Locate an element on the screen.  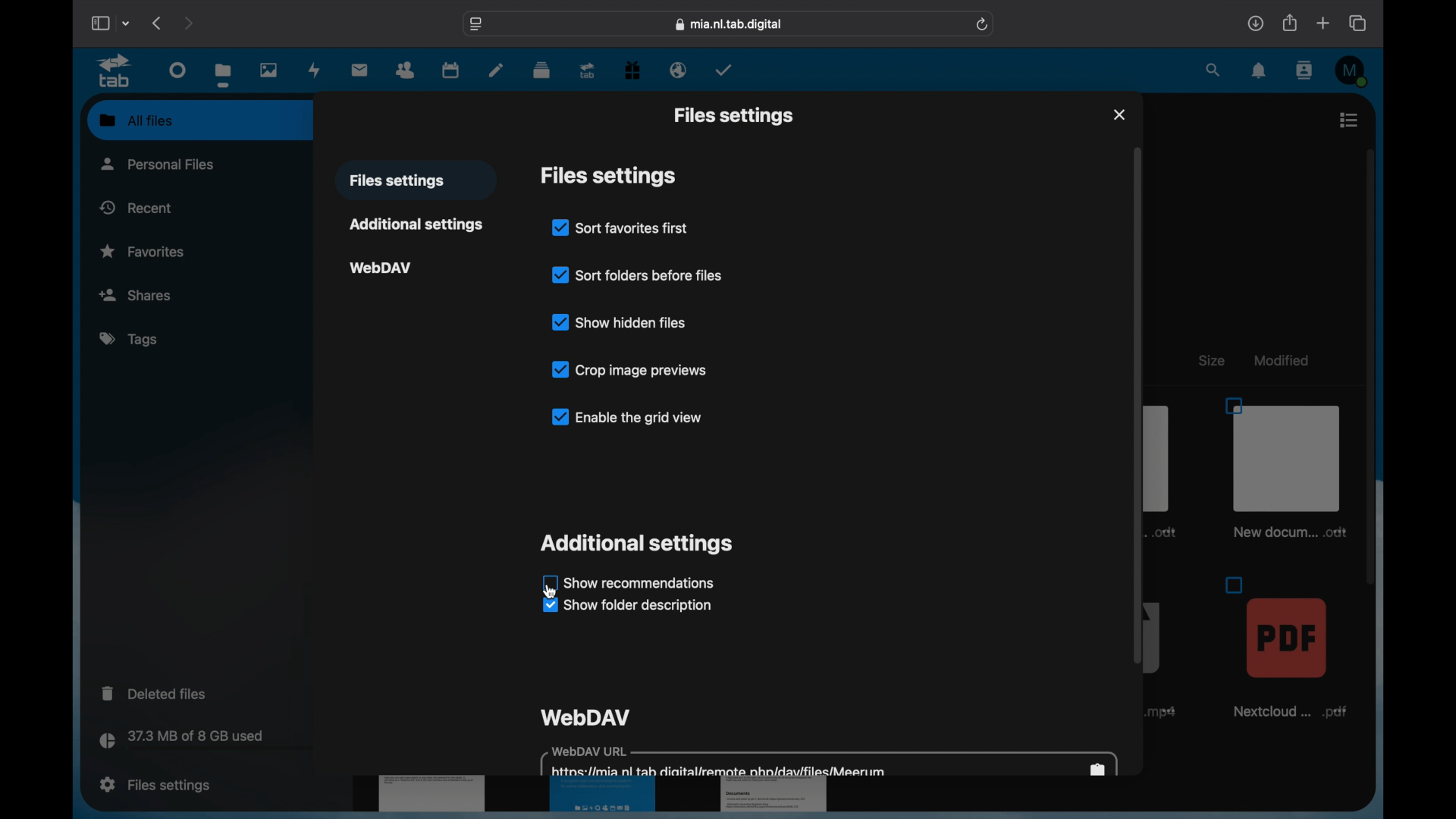
calendar is located at coordinates (450, 69).